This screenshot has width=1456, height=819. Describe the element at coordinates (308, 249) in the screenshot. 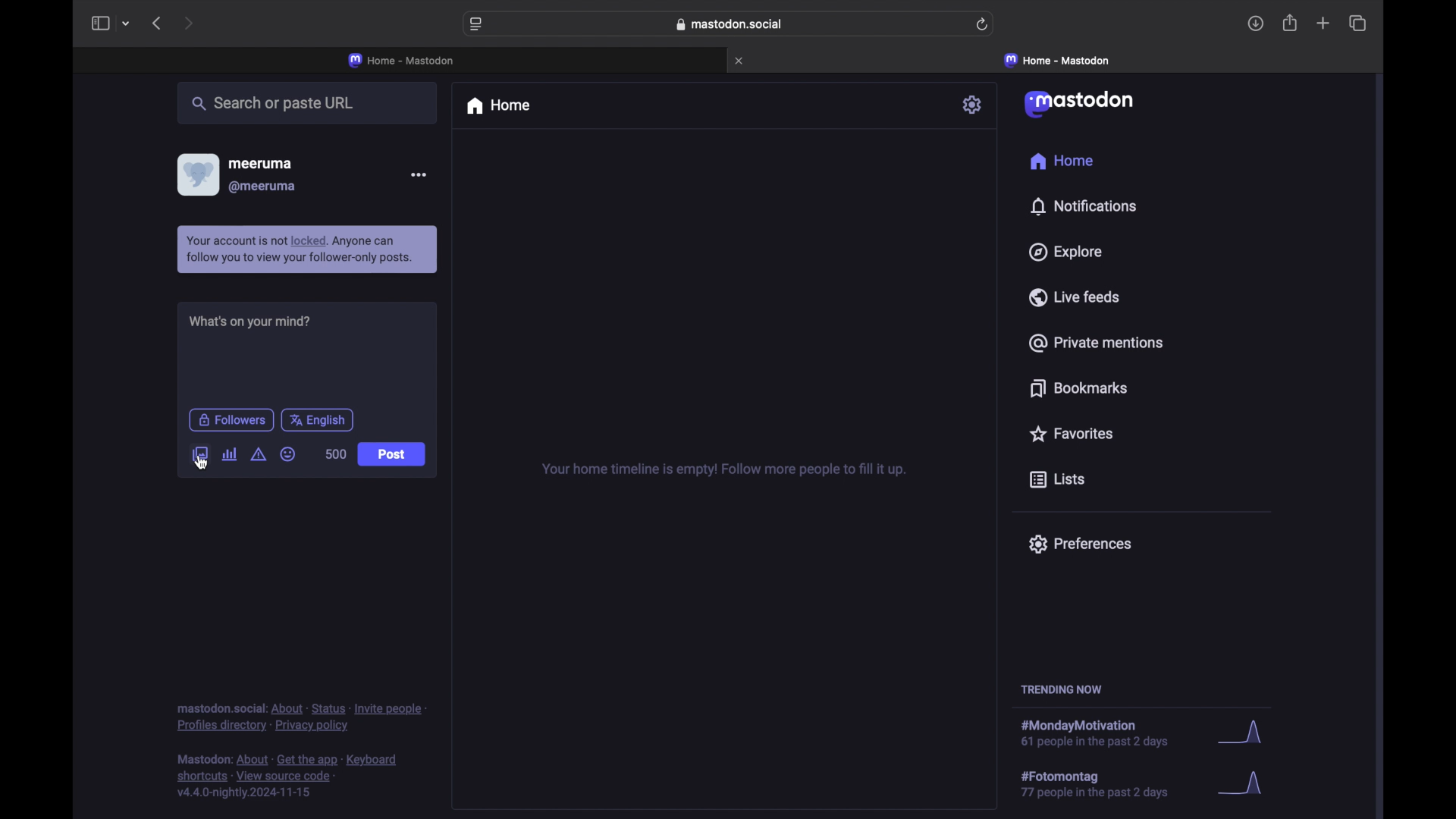

I see `notification` at that location.